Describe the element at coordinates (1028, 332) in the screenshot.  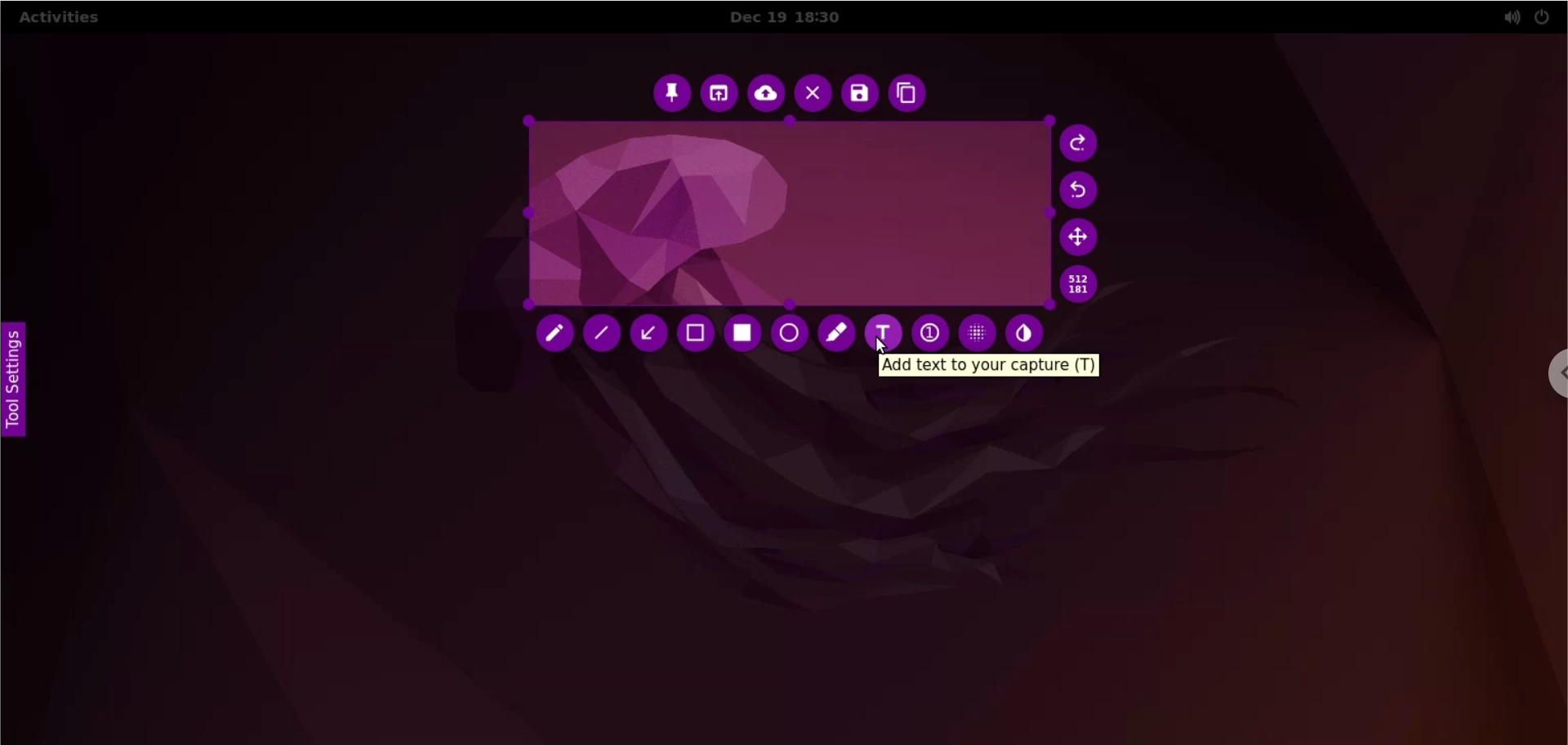
I see `inverter tool` at that location.